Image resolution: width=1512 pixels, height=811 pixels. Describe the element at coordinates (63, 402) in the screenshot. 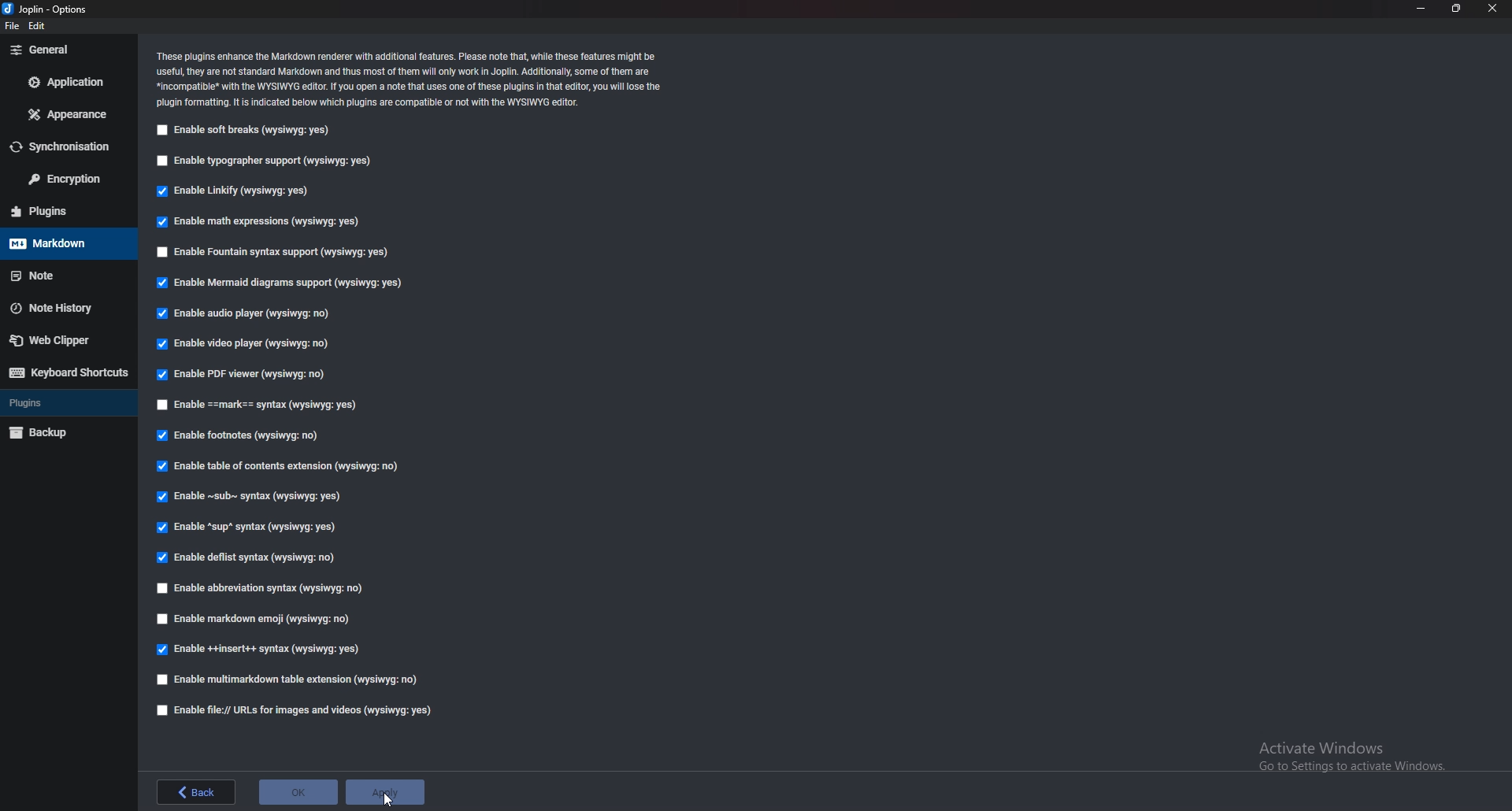

I see `Plugins` at that location.